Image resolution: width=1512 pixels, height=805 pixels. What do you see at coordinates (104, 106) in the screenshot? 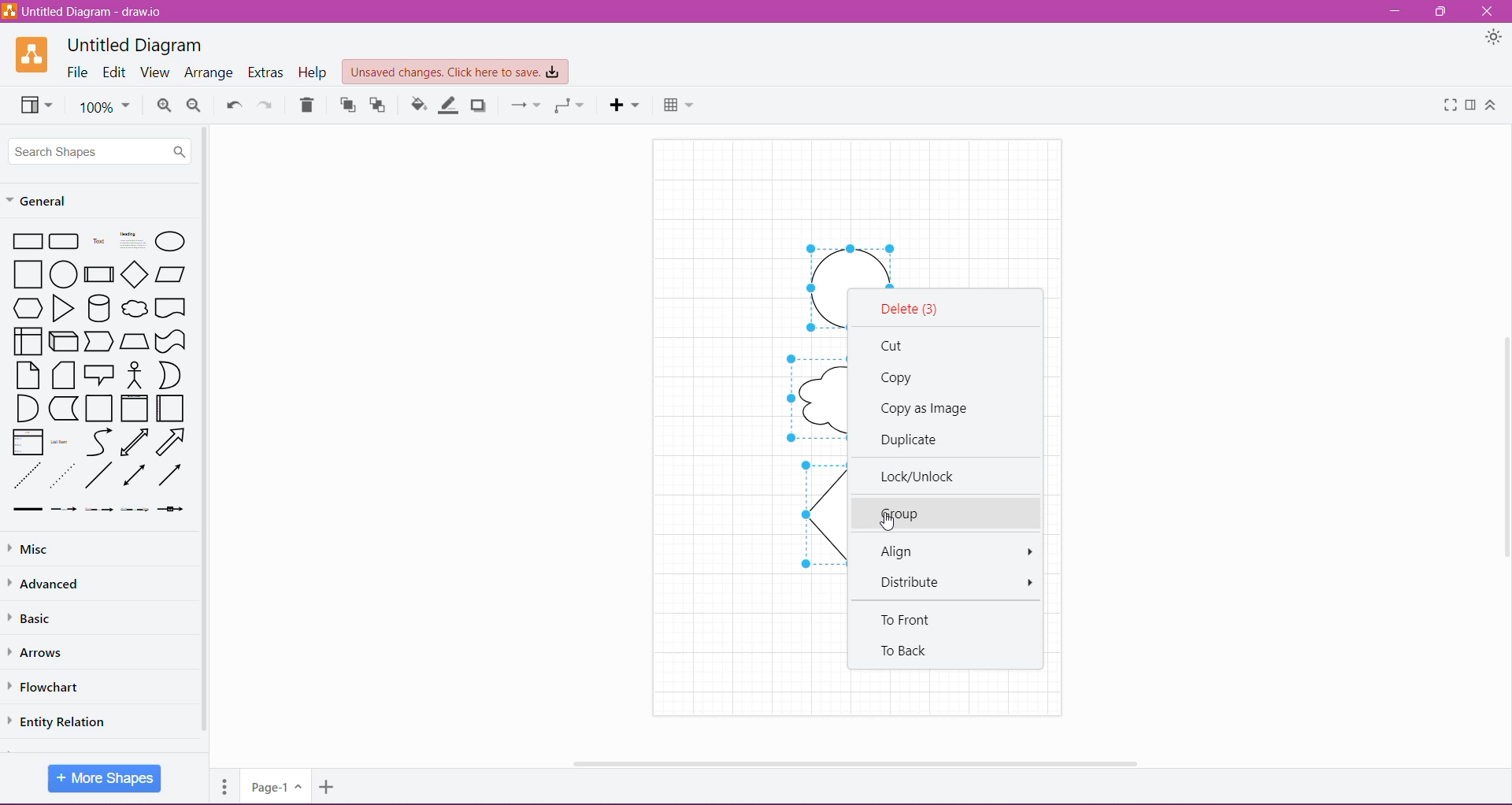
I see `Zoom` at bounding box center [104, 106].